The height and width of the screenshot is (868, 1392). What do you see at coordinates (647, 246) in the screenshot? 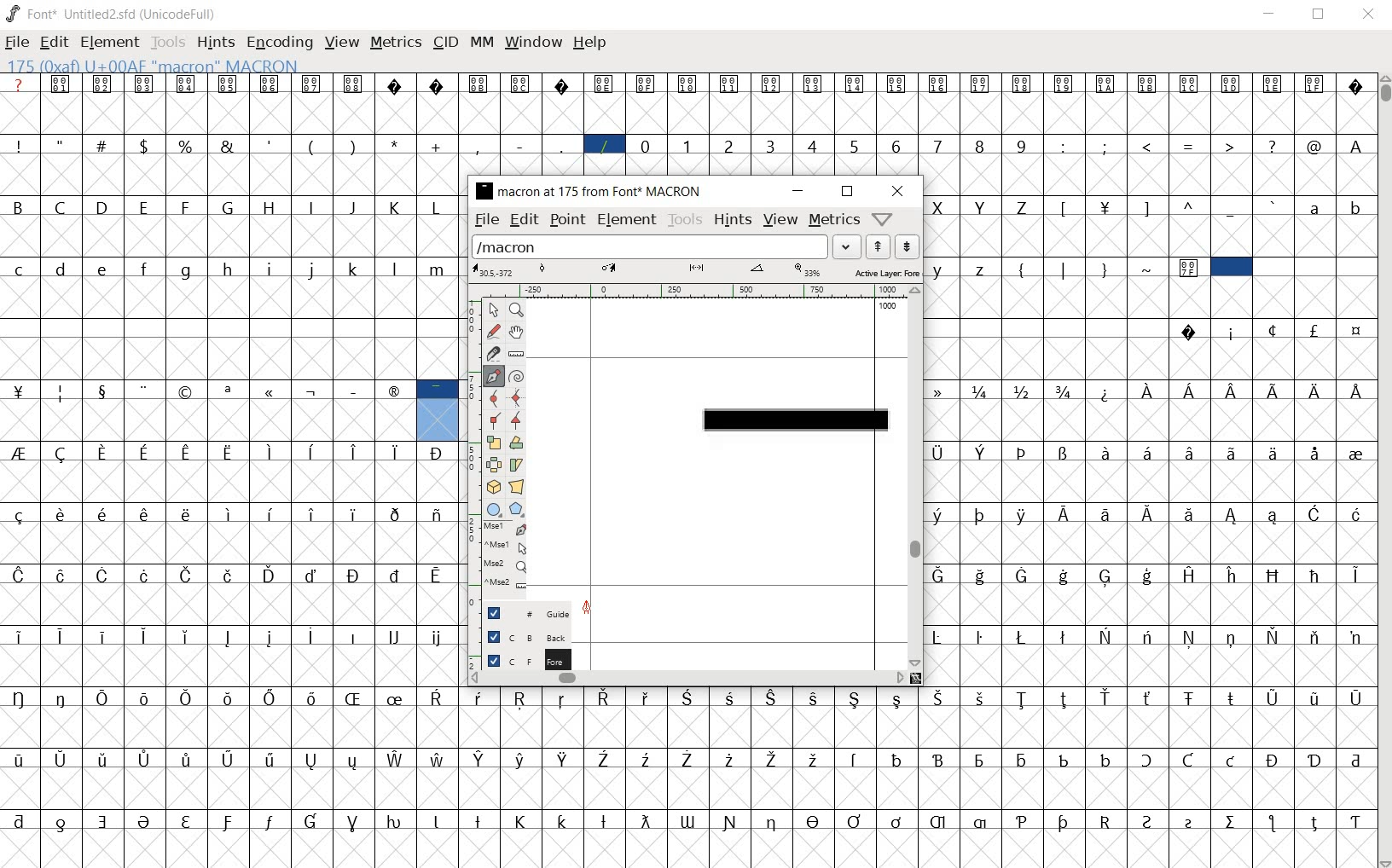
I see `load word list` at bounding box center [647, 246].